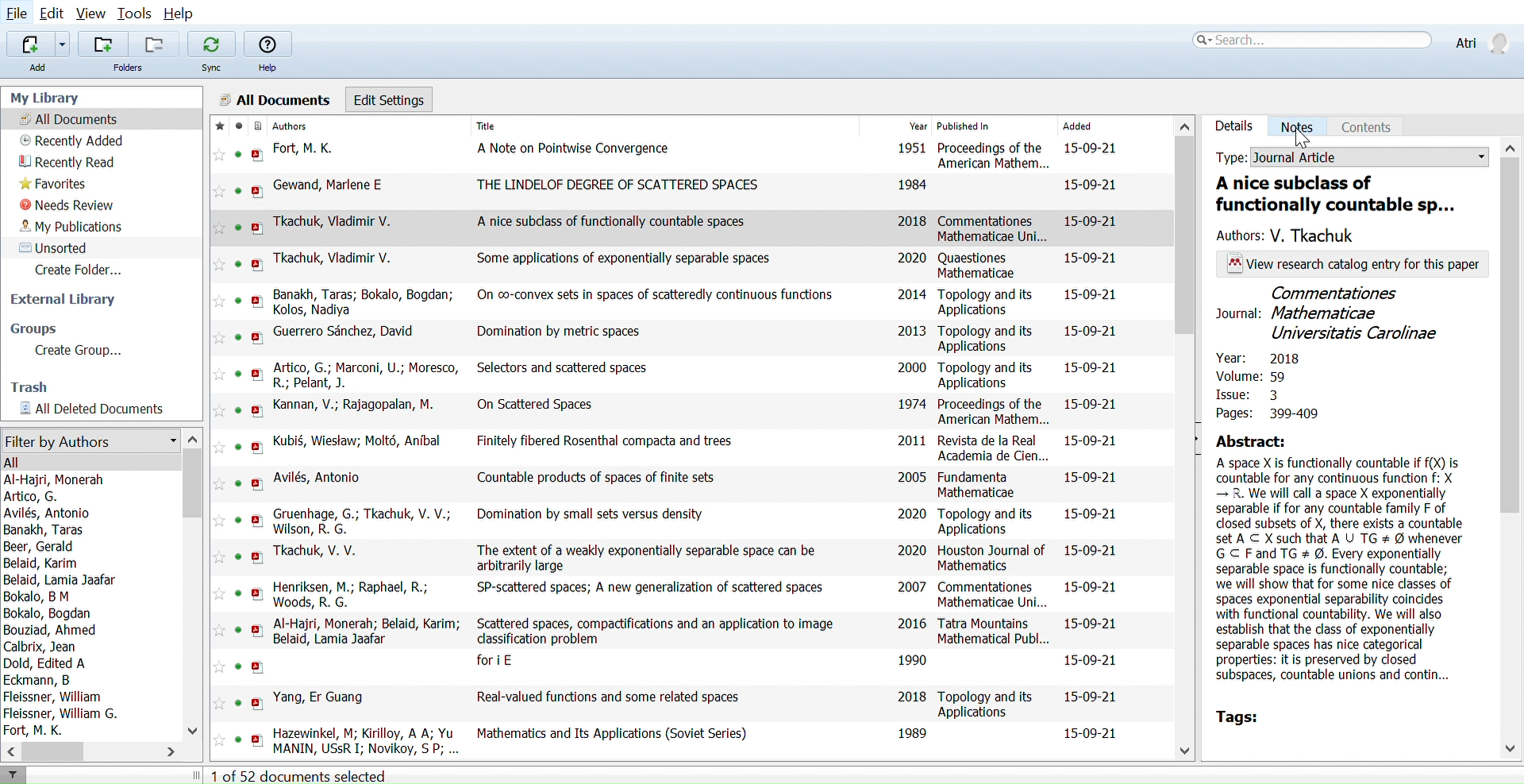  What do you see at coordinates (1092, 440) in the screenshot?
I see `15-09-21` at bounding box center [1092, 440].